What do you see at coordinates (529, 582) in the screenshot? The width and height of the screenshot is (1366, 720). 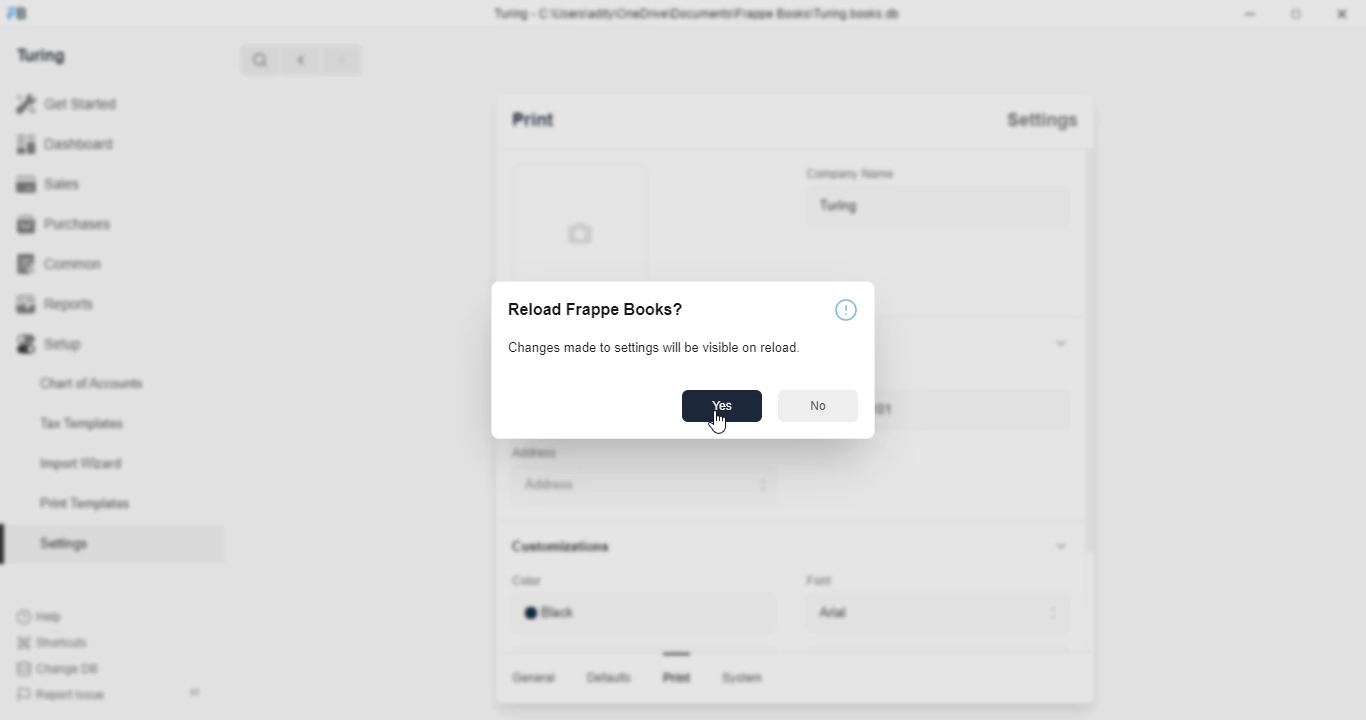 I see `Color.` at bounding box center [529, 582].